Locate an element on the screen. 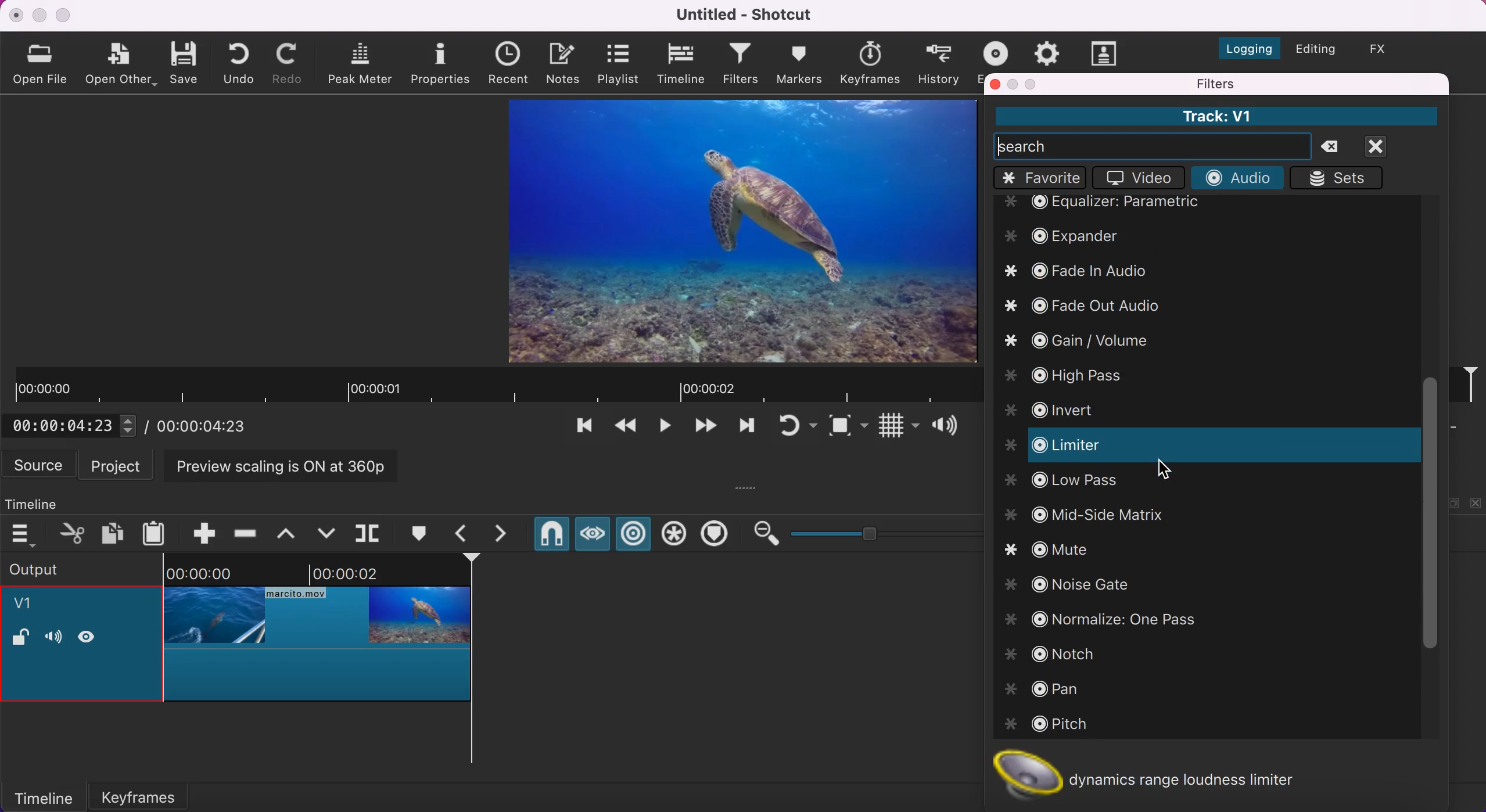 The image size is (1486, 812). skip to the previous point is located at coordinates (580, 429).